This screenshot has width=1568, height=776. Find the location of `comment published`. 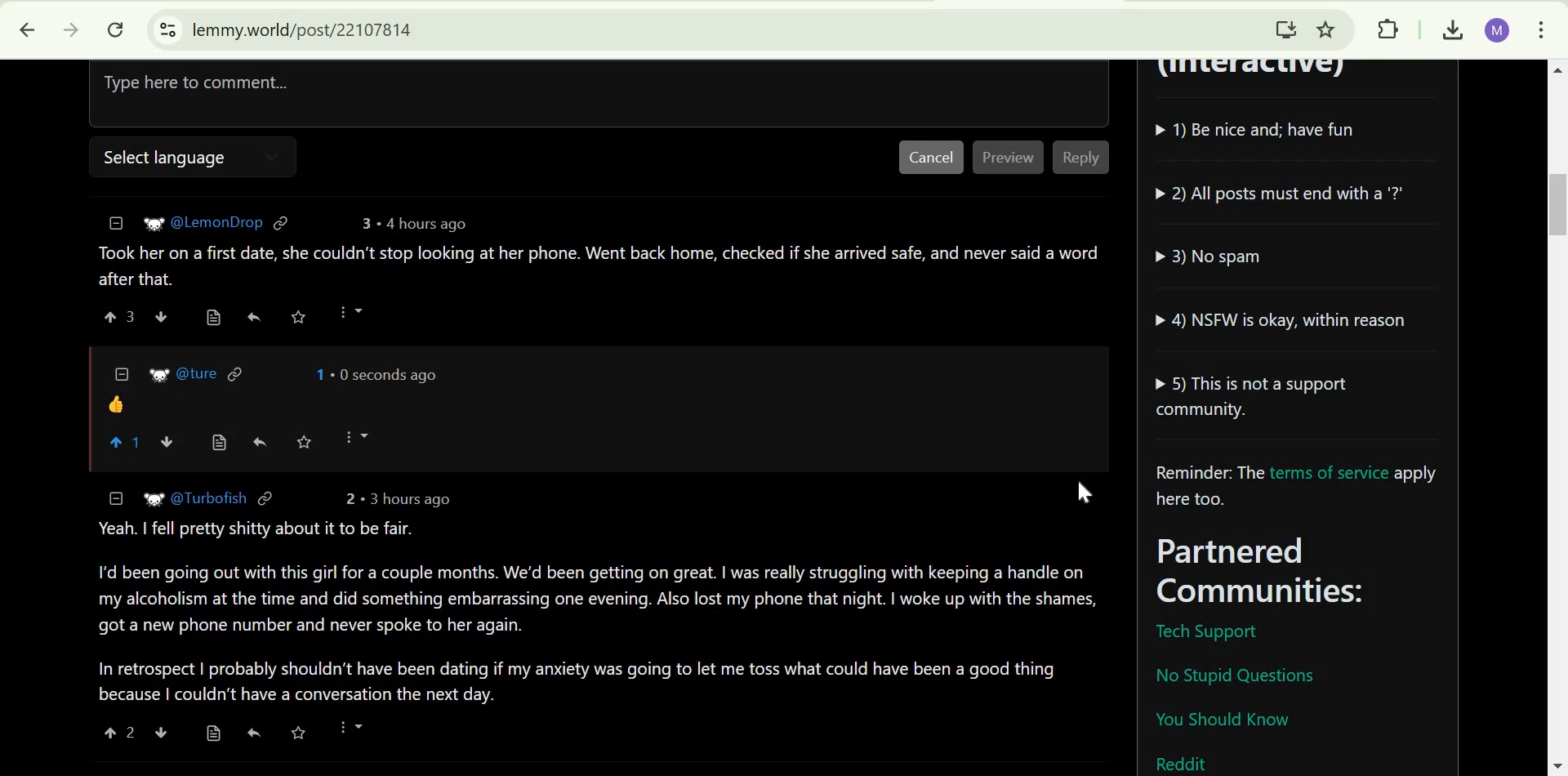

comment published is located at coordinates (595, 386).